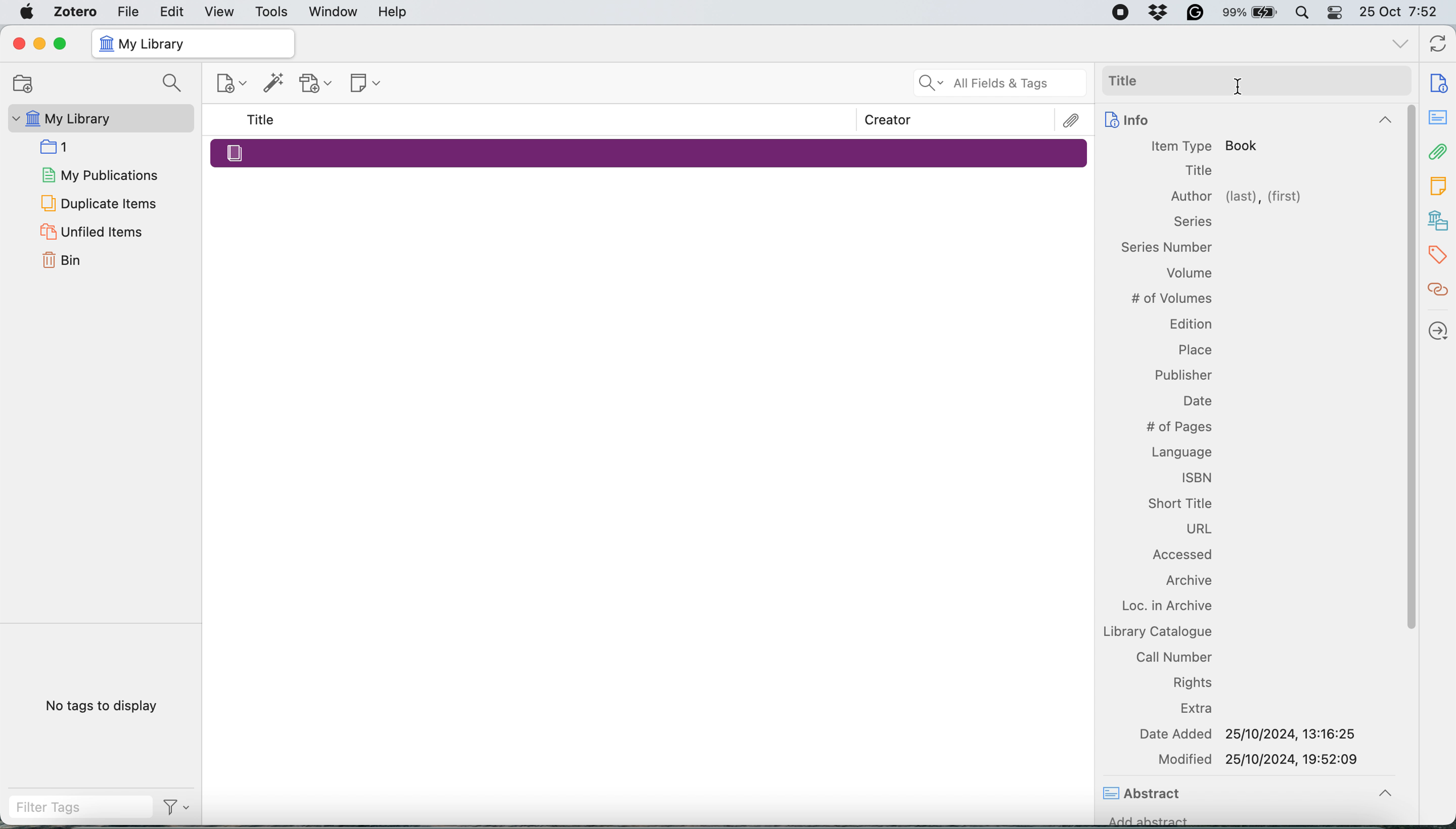 The width and height of the screenshot is (1456, 829). I want to click on Sync with Zotero.com, so click(1439, 46).